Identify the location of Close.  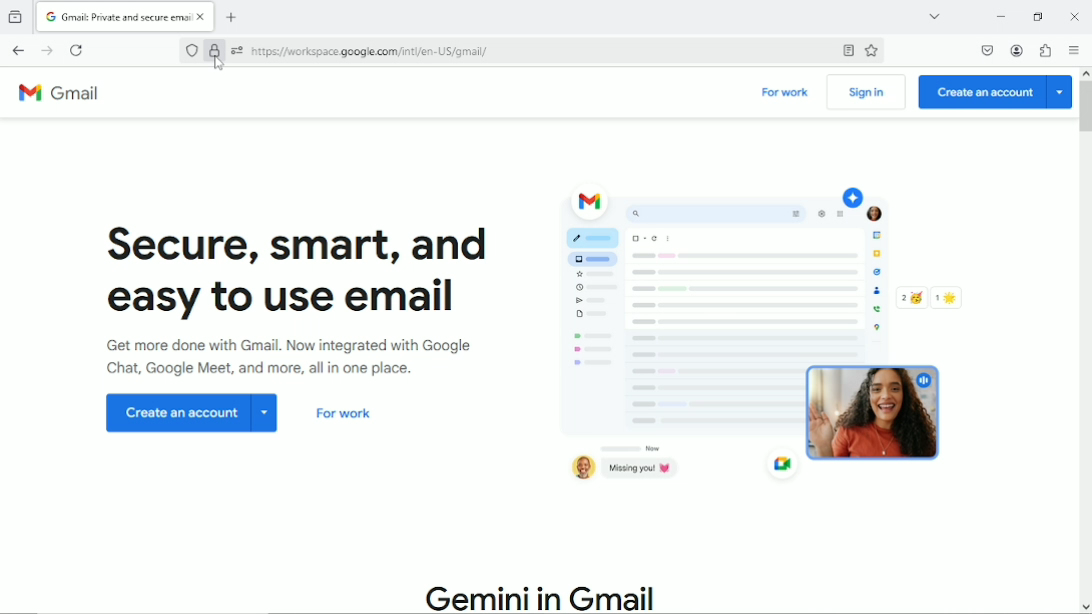
(1074, 16).